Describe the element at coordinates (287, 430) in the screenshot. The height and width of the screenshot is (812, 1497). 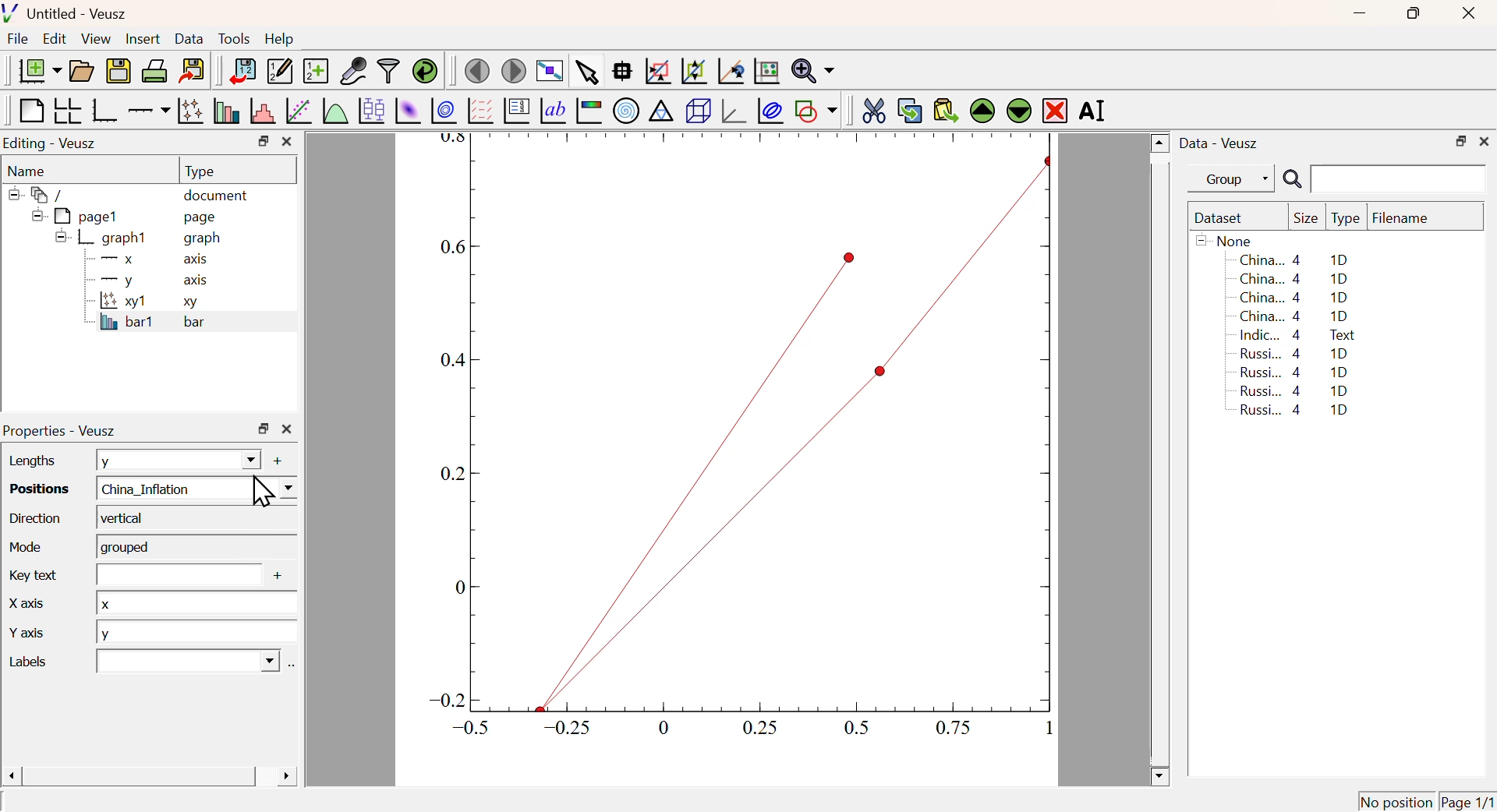
I see `Close` at that location.